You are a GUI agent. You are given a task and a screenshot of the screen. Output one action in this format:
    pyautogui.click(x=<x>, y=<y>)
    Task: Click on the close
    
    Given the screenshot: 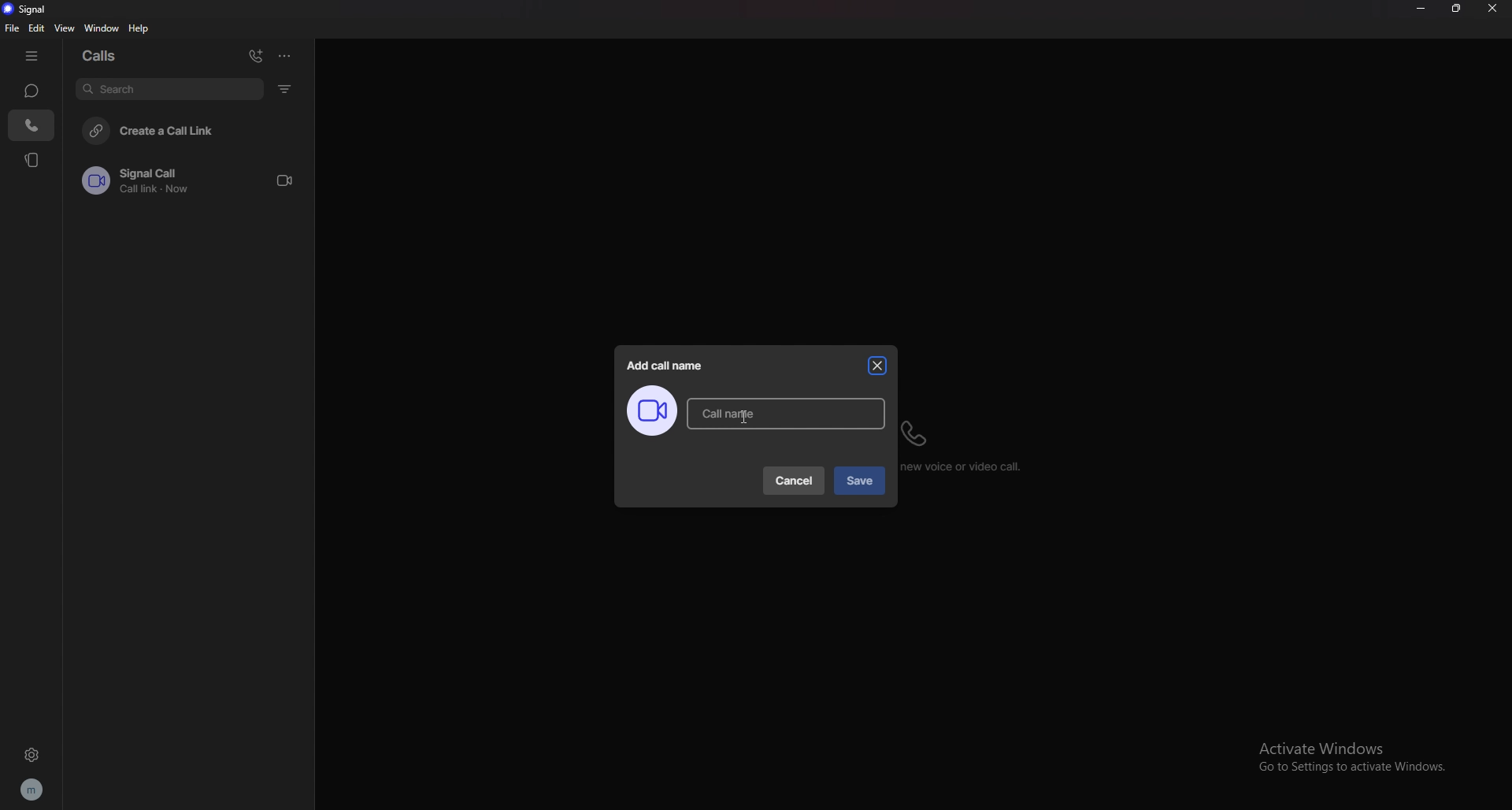 What is the action you would take?
    pyautogui.click(x=1492, y=9)
    